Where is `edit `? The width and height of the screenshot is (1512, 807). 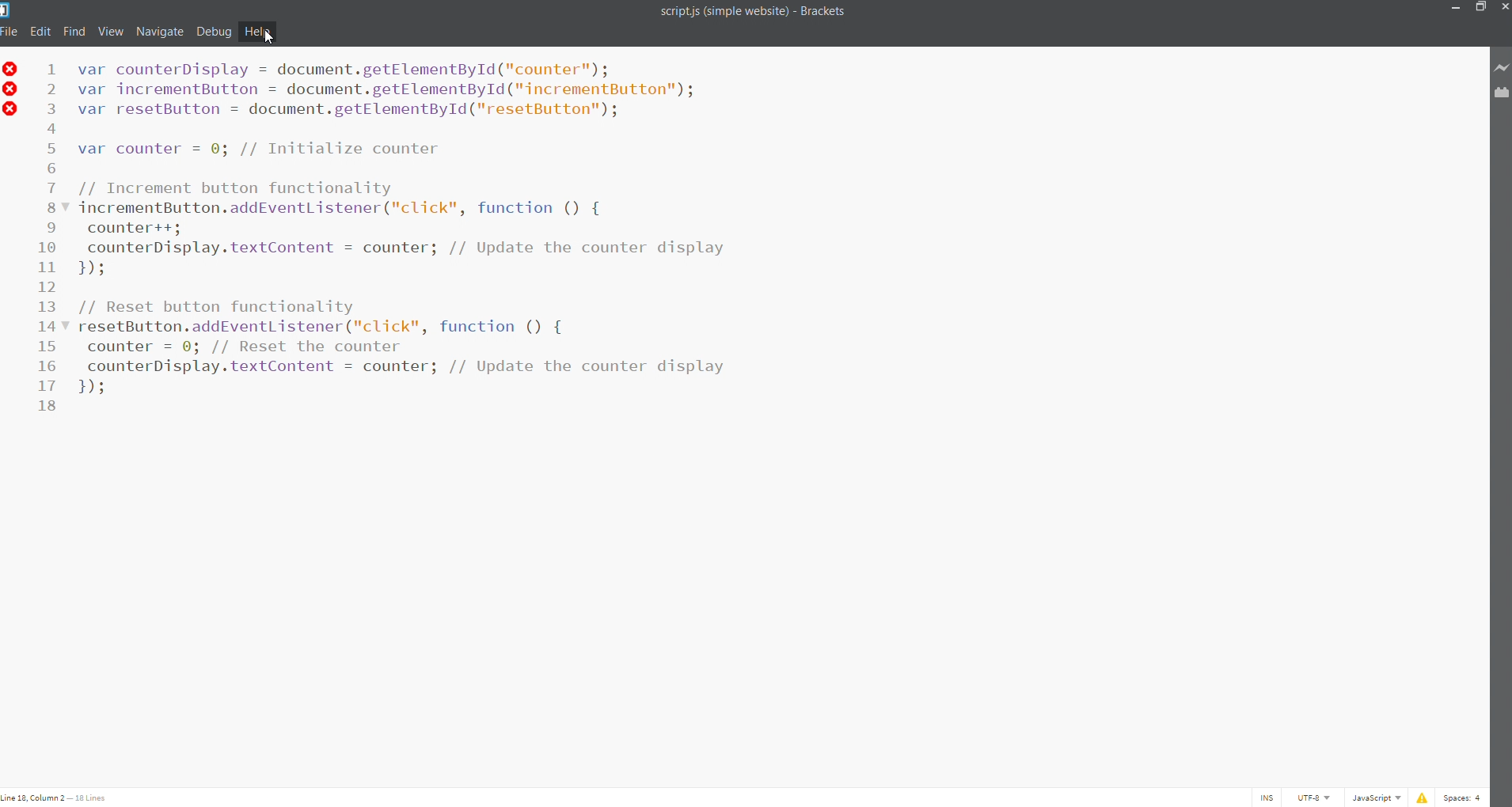
edit  is located at coordinates (40, 30).